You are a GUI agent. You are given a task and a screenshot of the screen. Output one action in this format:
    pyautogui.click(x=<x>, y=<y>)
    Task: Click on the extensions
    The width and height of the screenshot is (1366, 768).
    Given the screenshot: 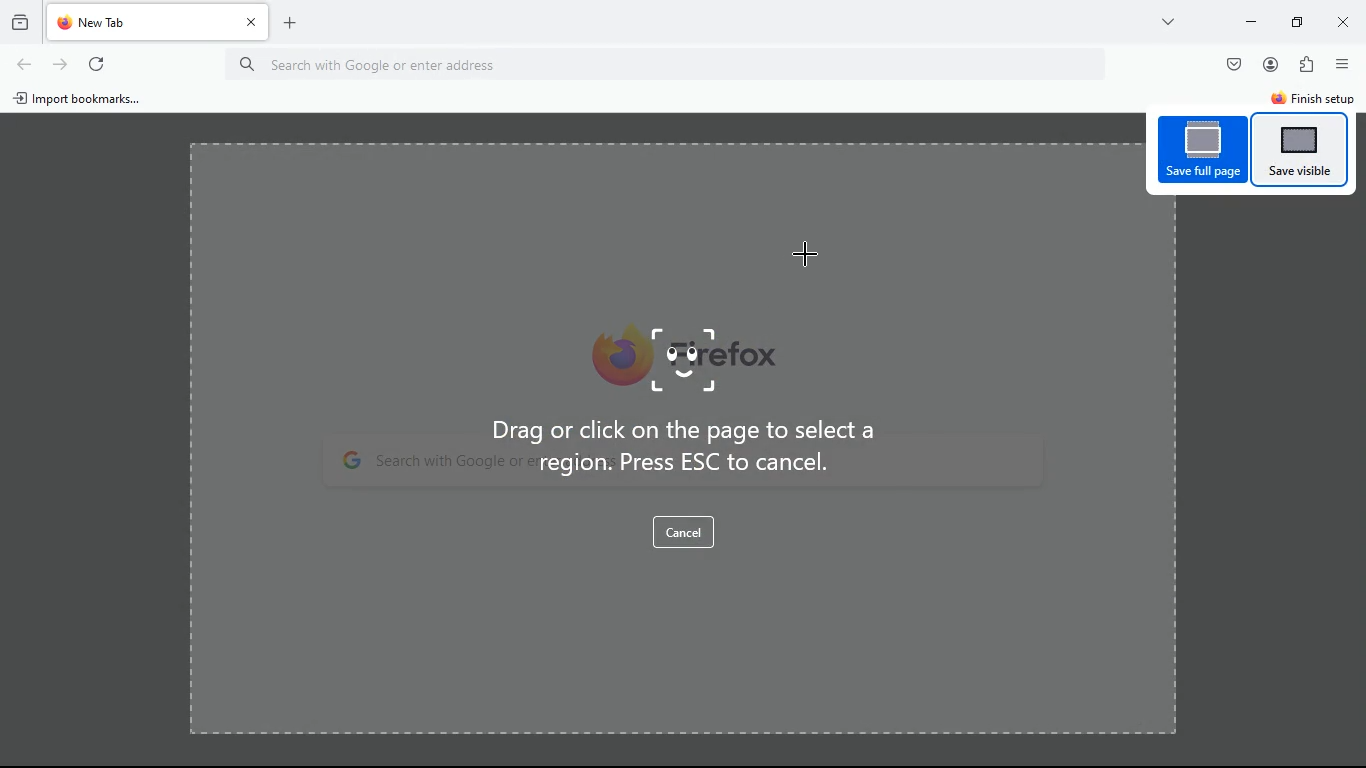 What is the action you would take?
    pyautogui.click(x=1305, y=65)
    